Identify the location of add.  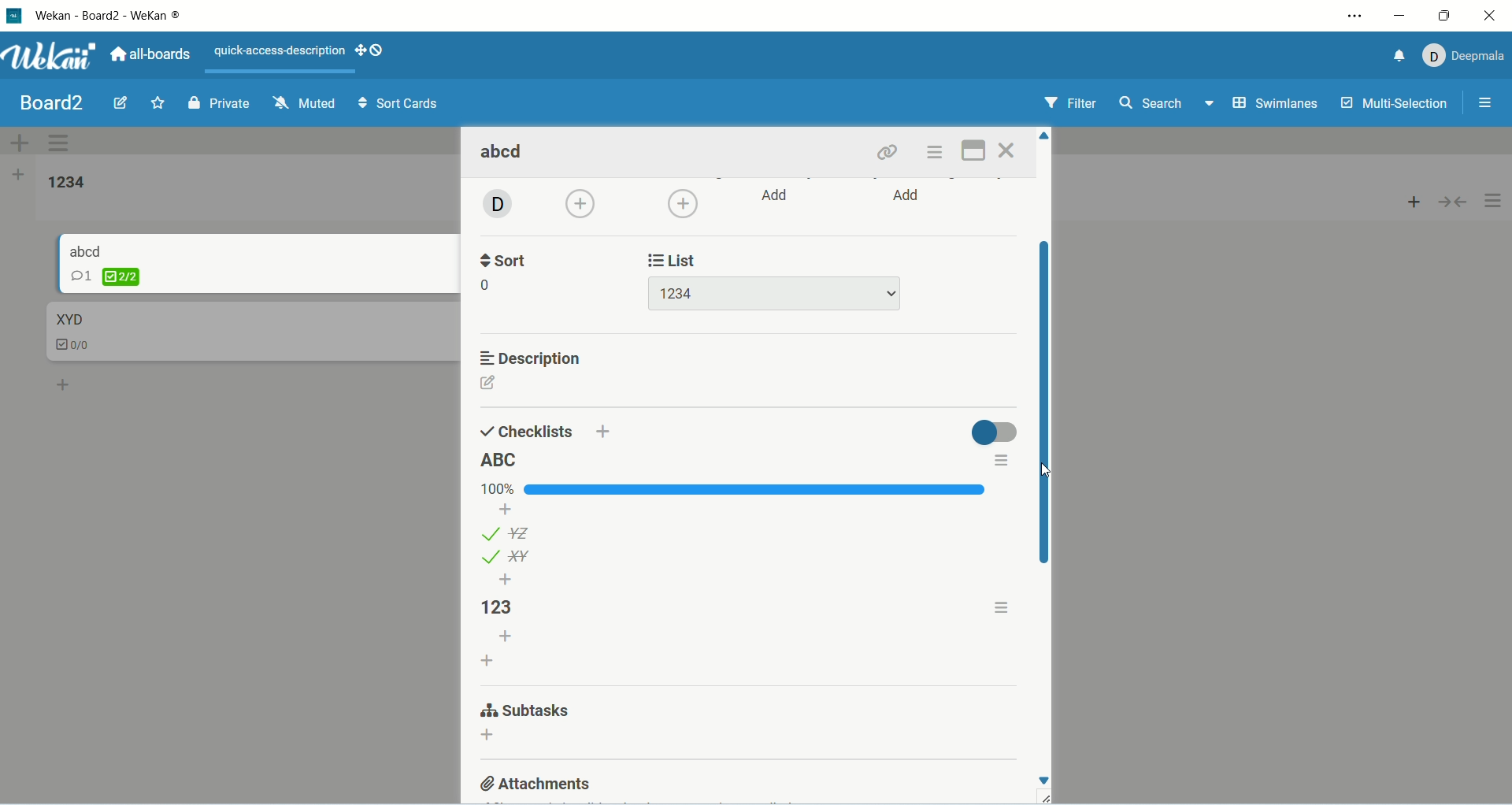
(683, 203).